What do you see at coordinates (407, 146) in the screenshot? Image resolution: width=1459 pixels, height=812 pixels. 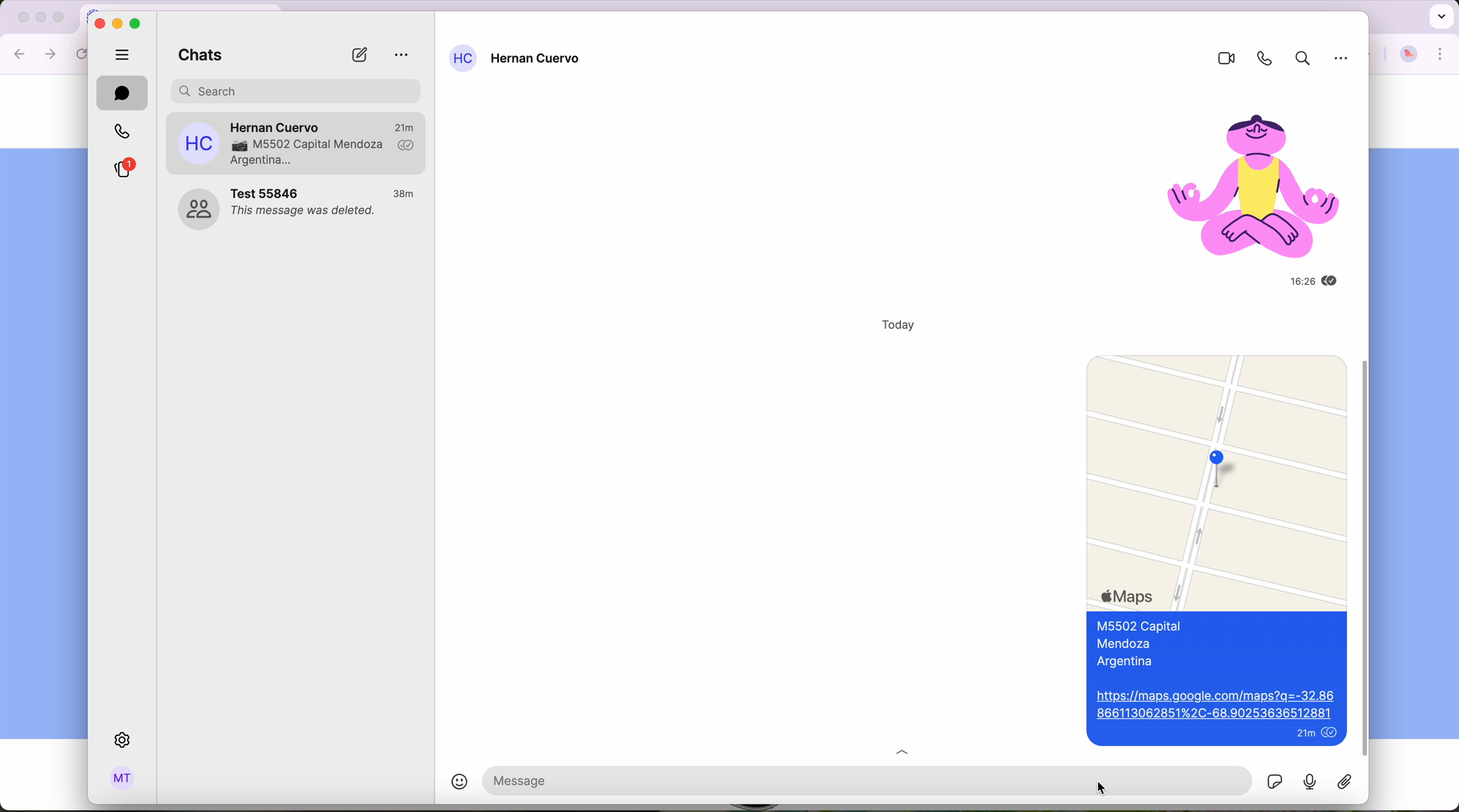 I see `delivered` at bounding box center [407, 146].